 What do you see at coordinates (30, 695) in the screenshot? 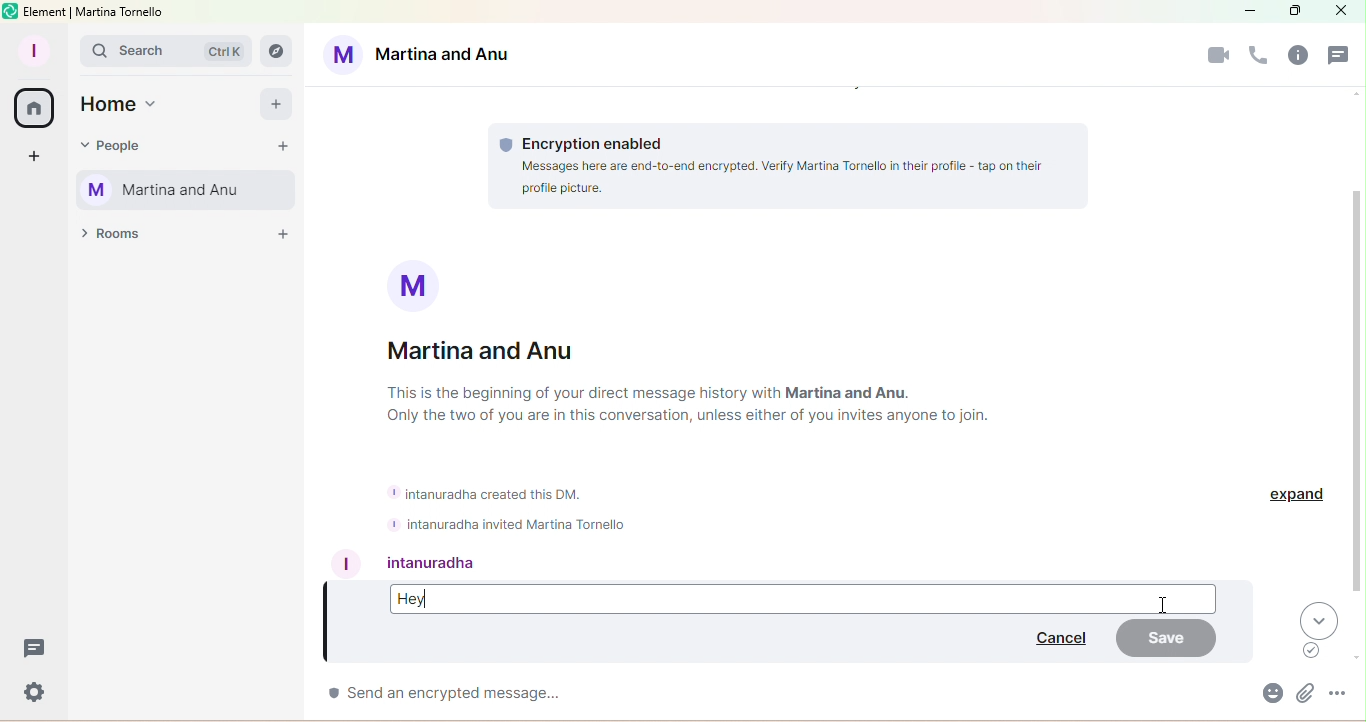
I see `Quick settings` at bounding box center [30, 695].